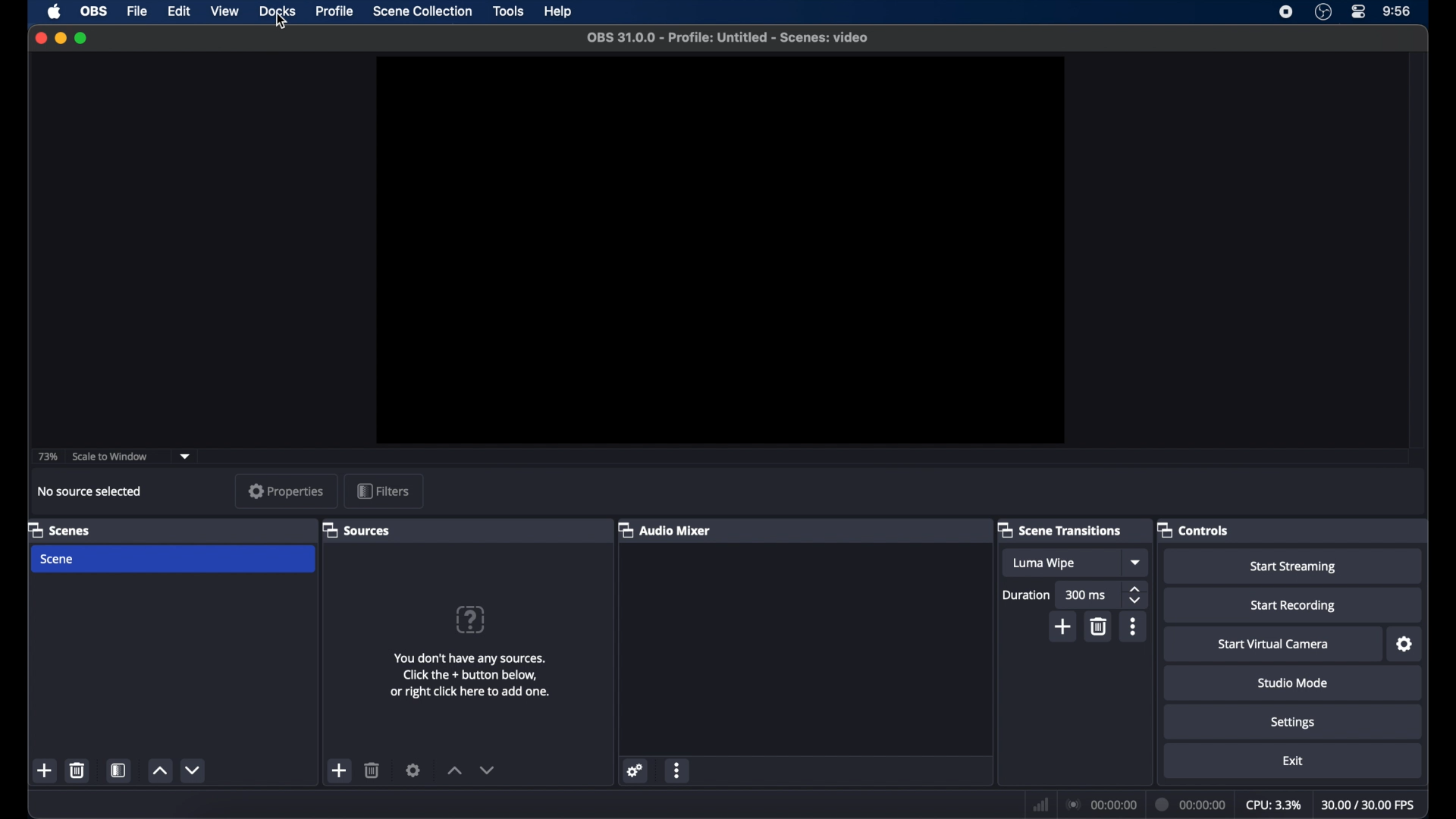 This screenshot has height=819, width=1456. What do you see at coordinates (470, 675) in the screenshot?
I see `add sources information` at bounding box center [470, 675].